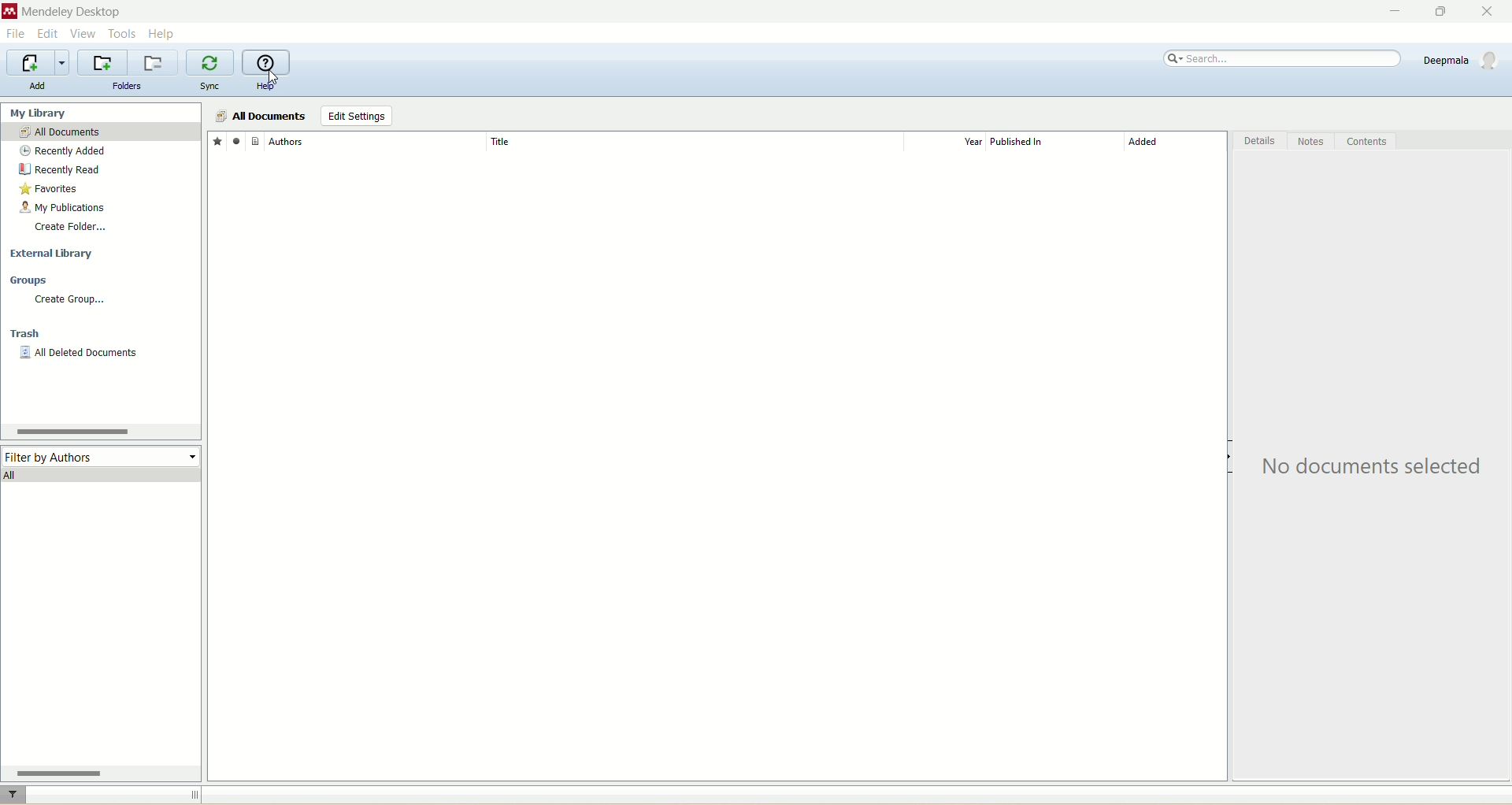  What do you see at coordinates (128, 86) in the screenshot?
I see `folders` at bounding box center [128, 86].